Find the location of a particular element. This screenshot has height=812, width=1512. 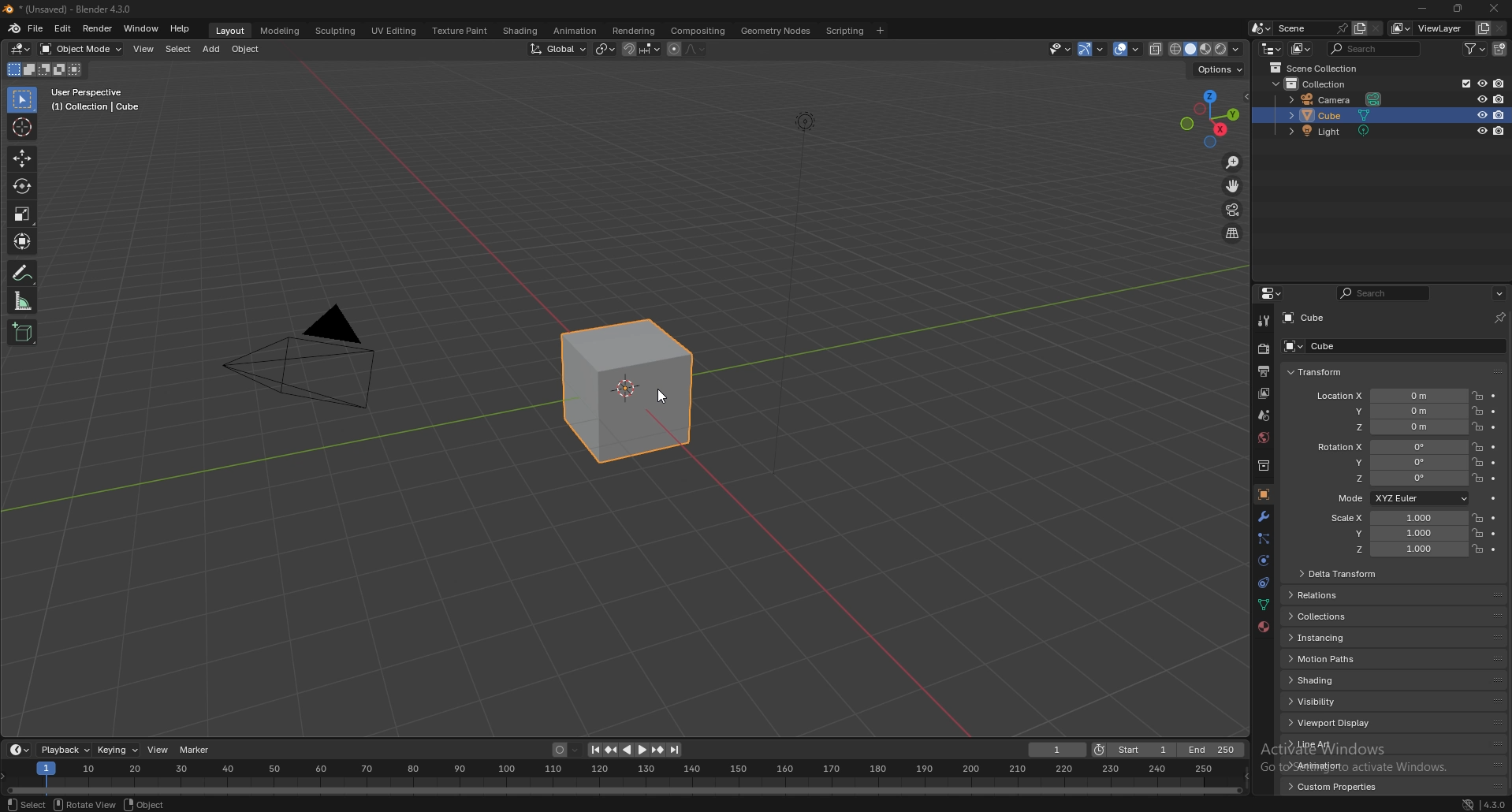

exclude from view layer is located at coordinates (1465, 84).